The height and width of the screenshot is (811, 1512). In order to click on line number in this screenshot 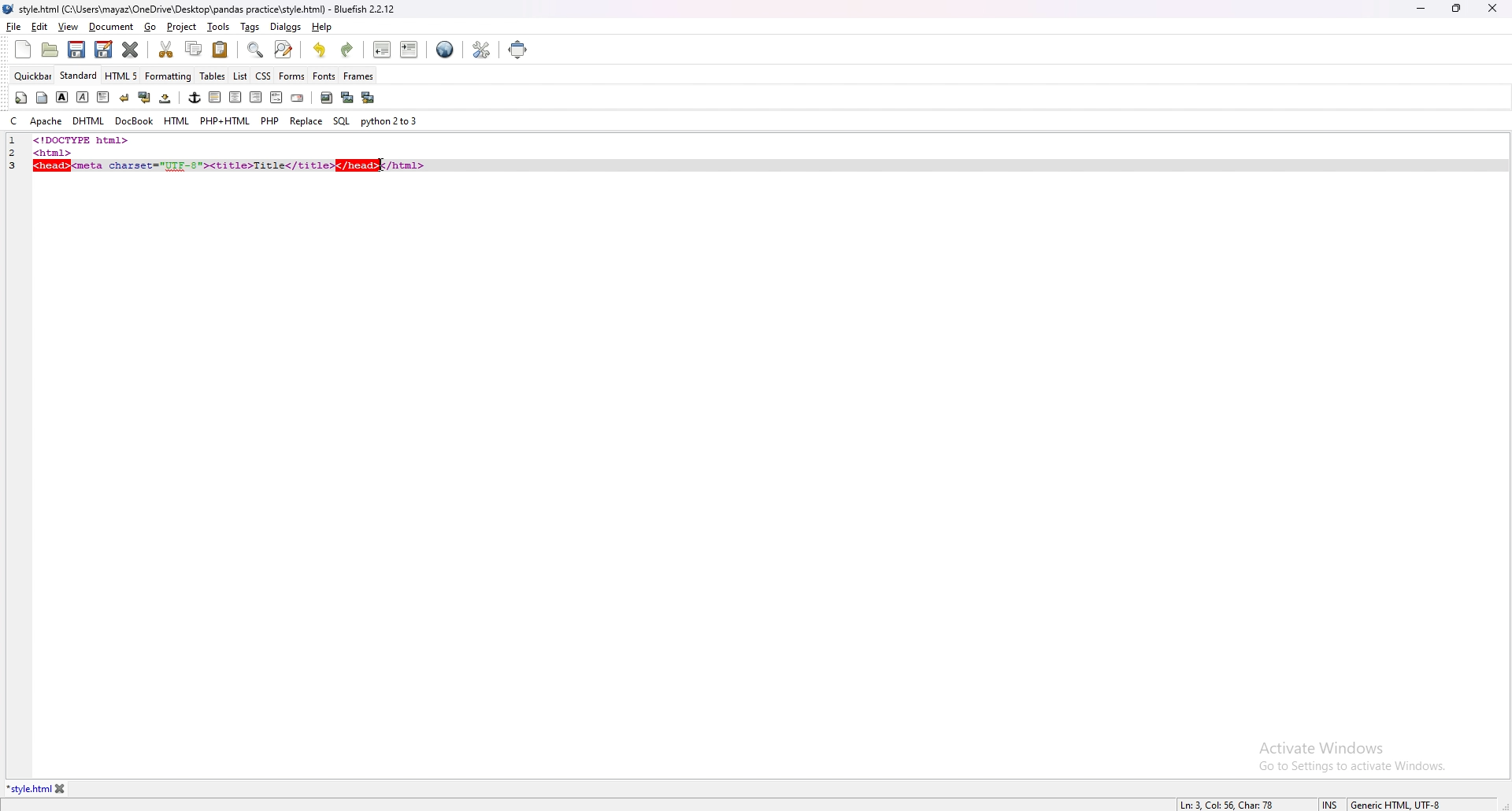, I will do `click(17, 165)`.